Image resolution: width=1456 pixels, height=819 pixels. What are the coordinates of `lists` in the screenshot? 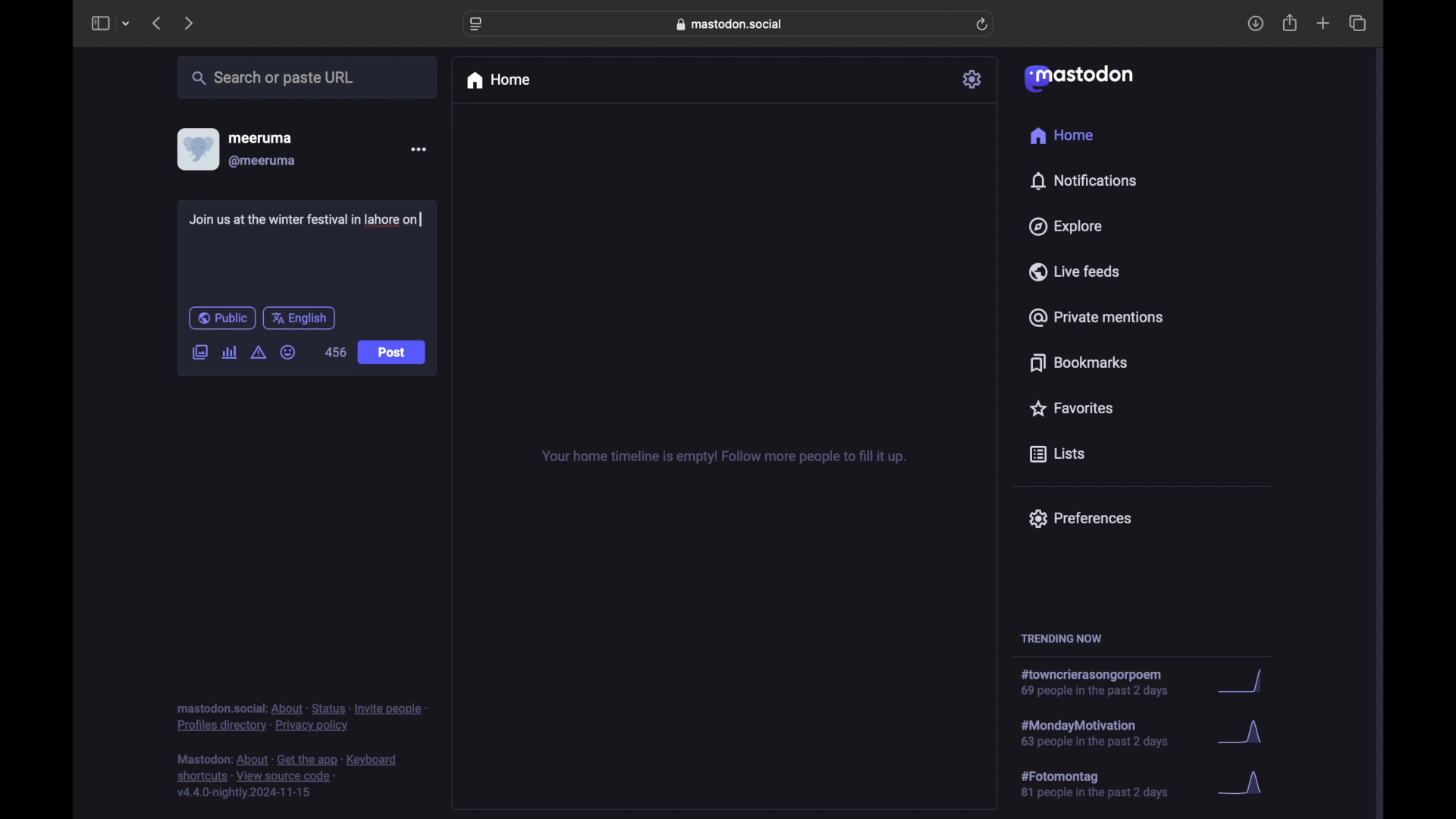 It's located at (1057, 455).